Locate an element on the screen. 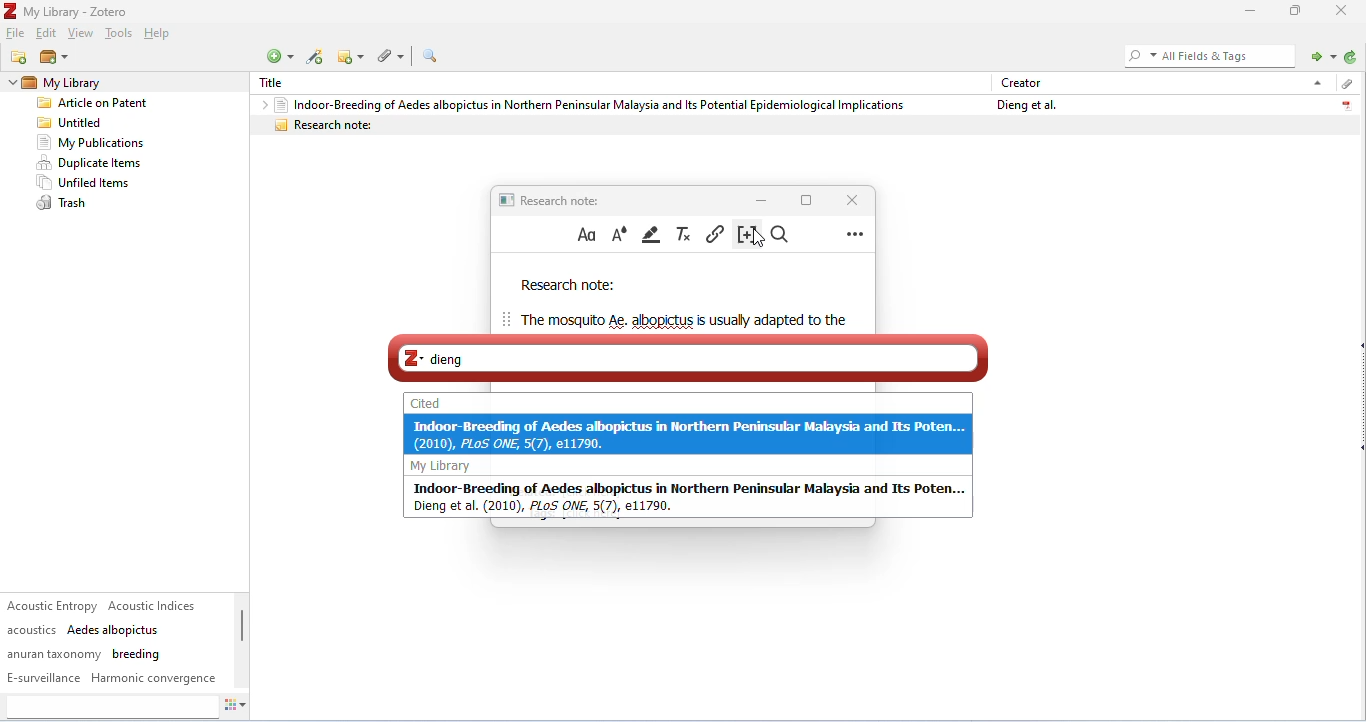  more is located at coordinates (855, 233).